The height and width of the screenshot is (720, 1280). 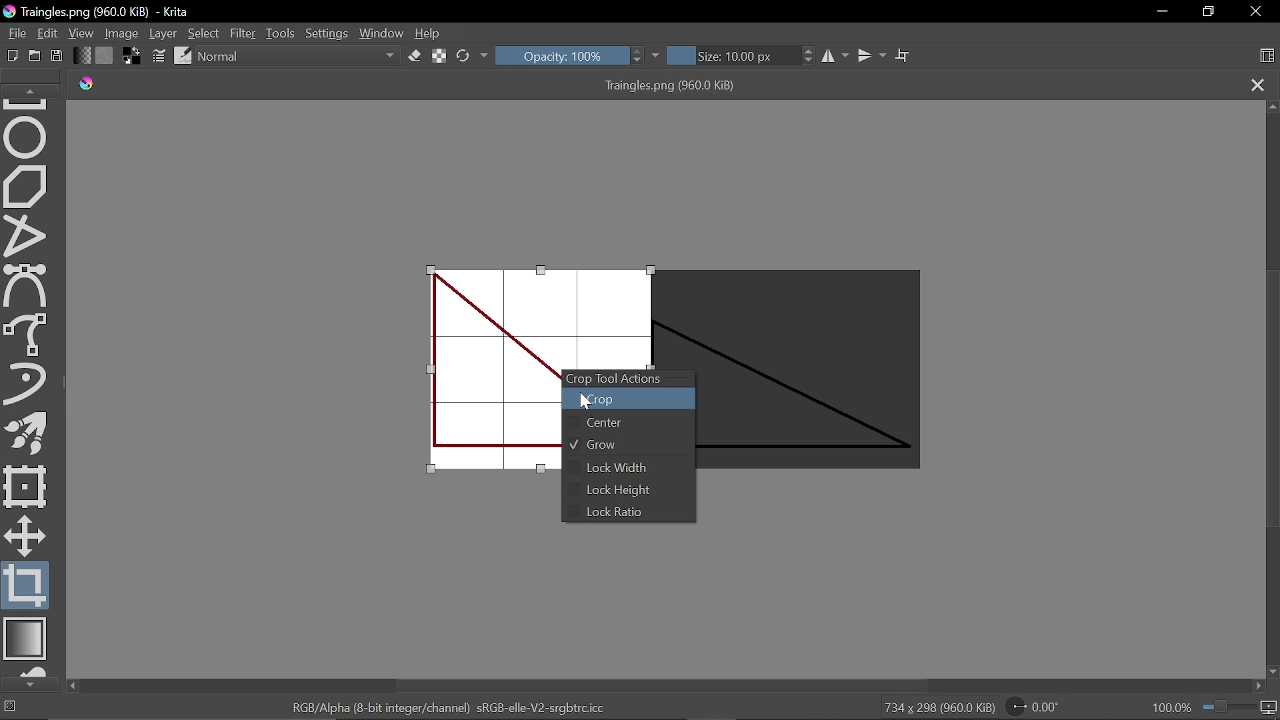 What do you see at coordinates (1262, 688) in the screenshot?
I see `Move right` at bounding box center [1262, 688].